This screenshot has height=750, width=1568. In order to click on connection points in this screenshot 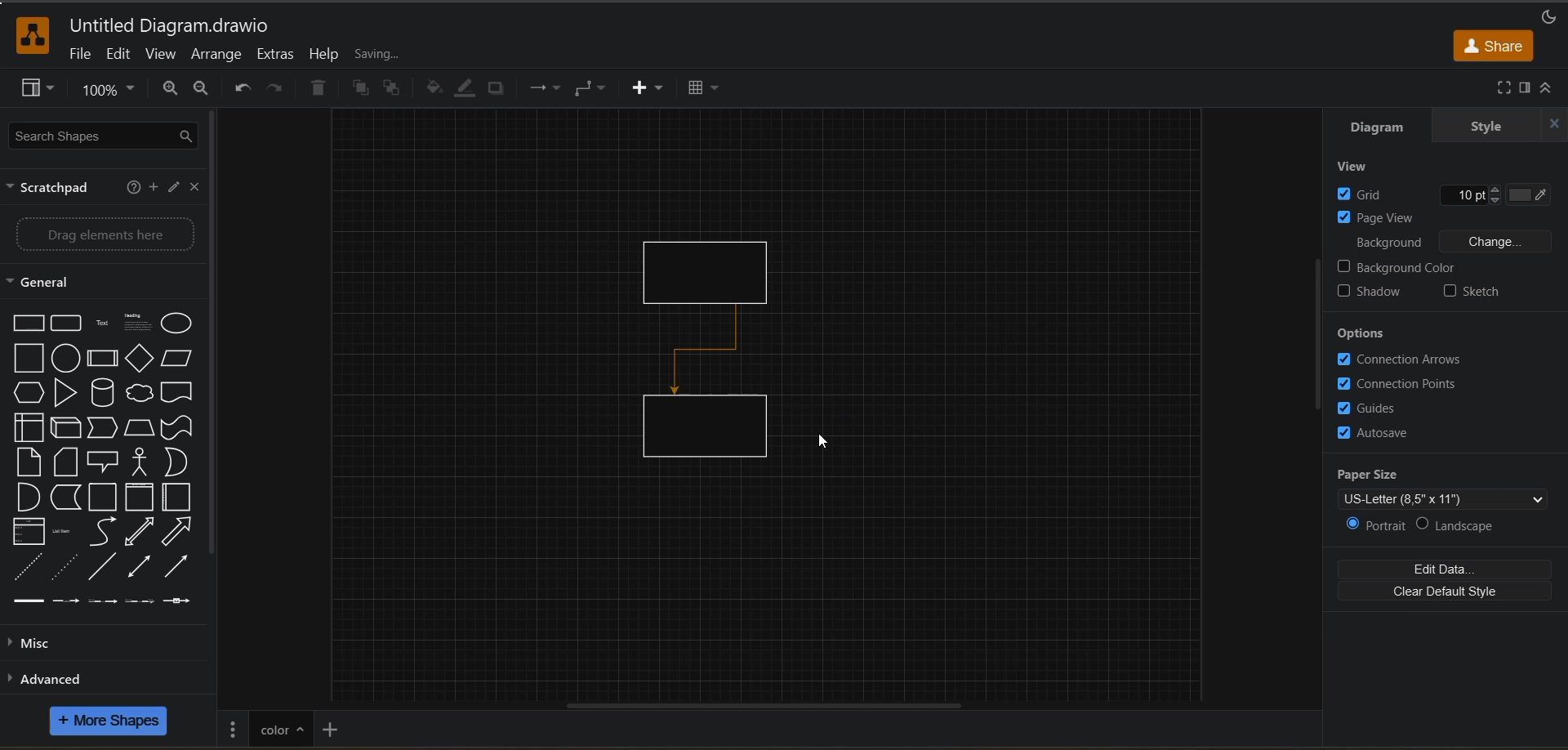, I will do `click(1397, 383)`.